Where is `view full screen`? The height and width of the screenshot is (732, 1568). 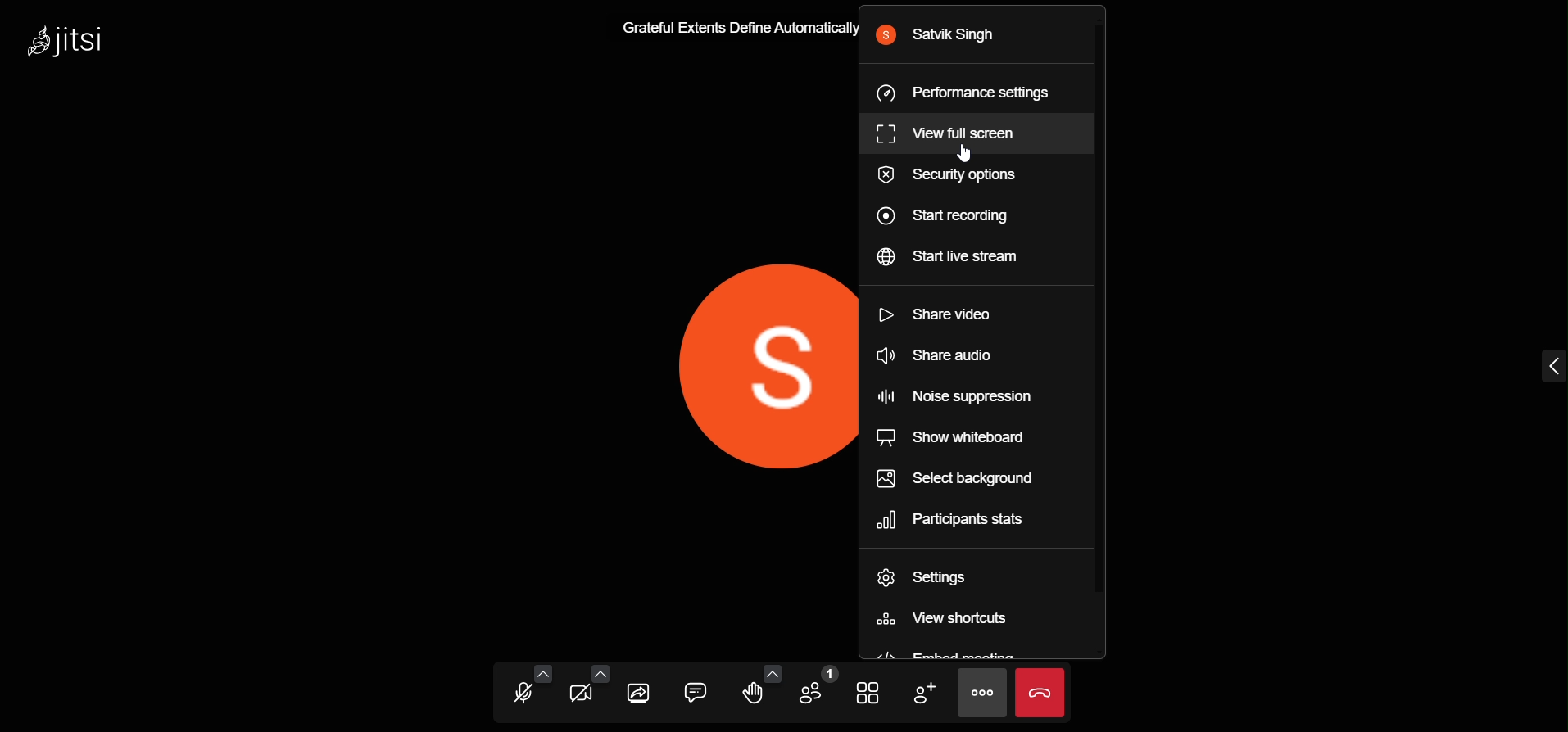
view full screen is located at coordinates (954, 132).